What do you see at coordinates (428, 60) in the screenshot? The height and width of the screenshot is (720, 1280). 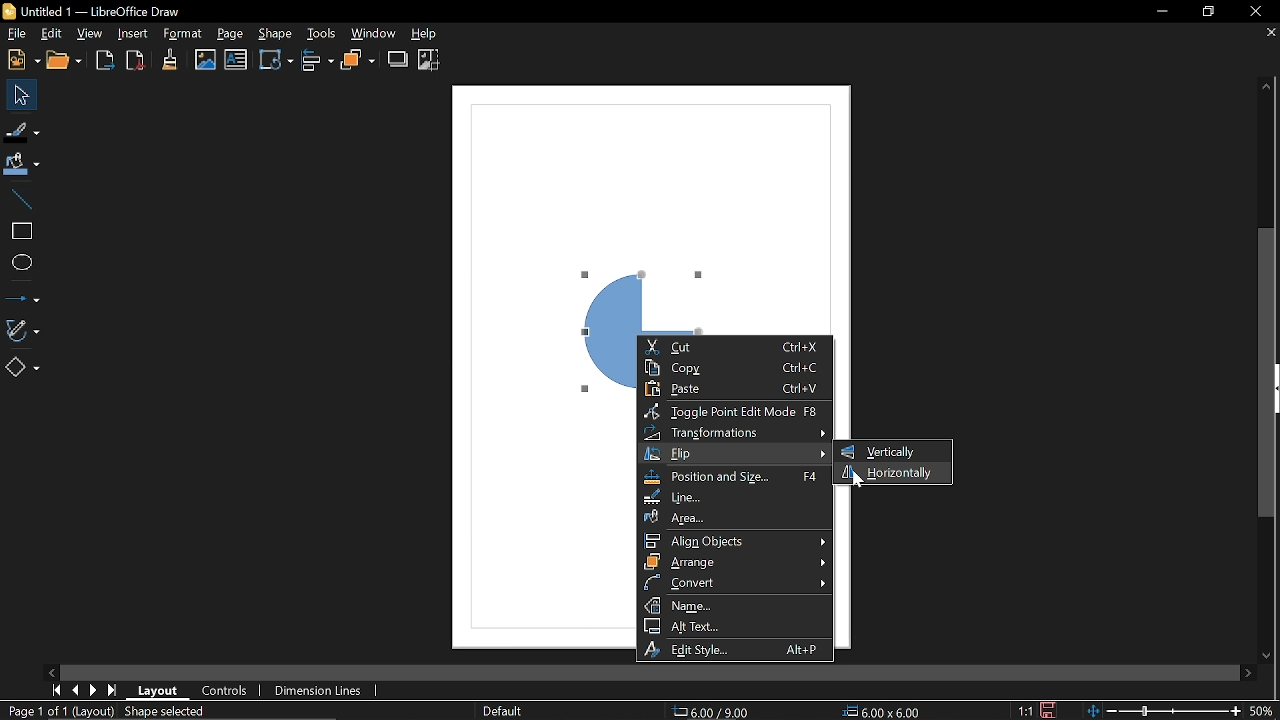 I see `Crop` at bounding box center [428, 60].